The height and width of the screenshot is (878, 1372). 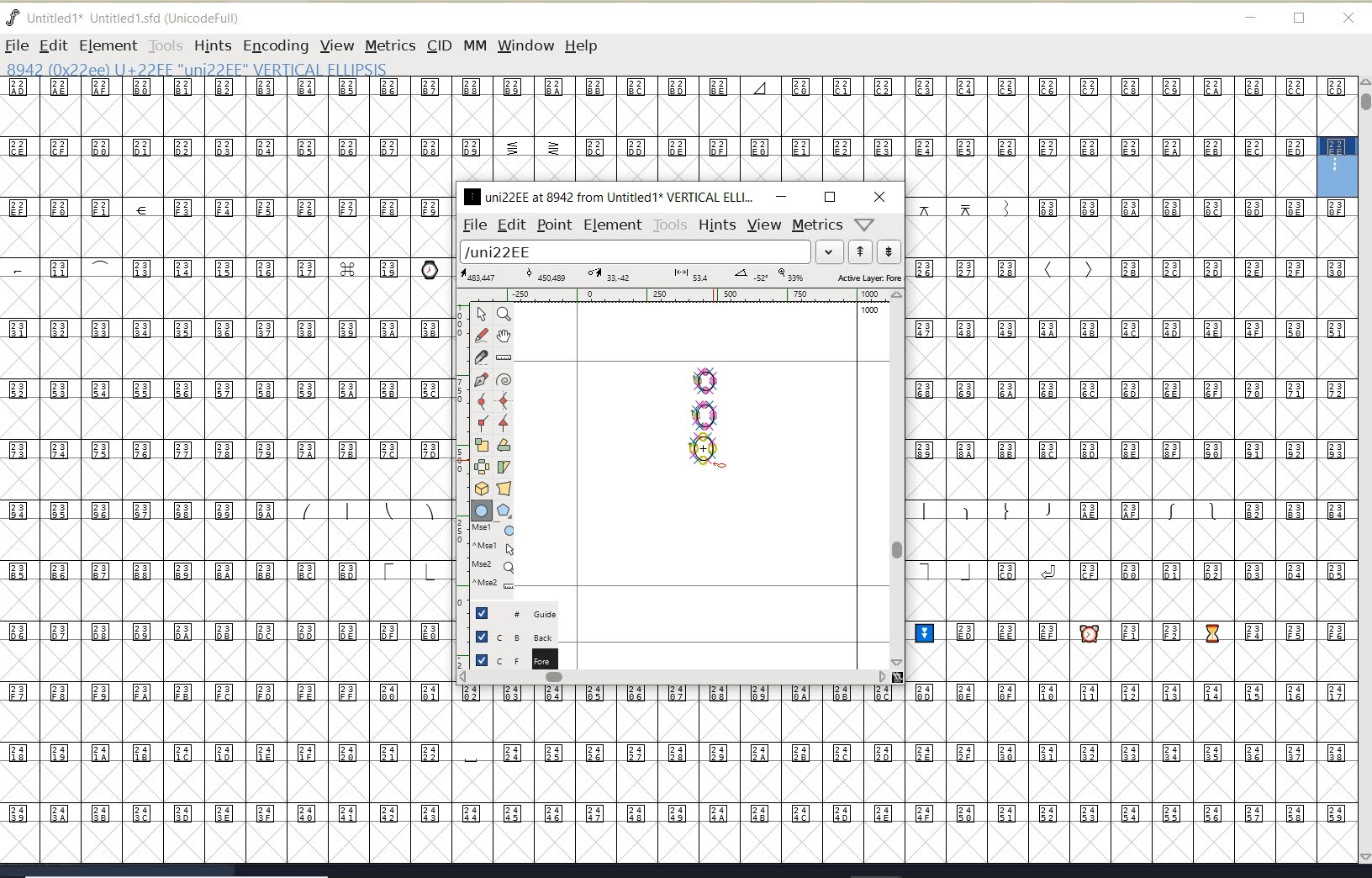 What do you see at coordinates (335, 45) in the screenshot?
I see `VIEW` at bounding box center [335, 45].